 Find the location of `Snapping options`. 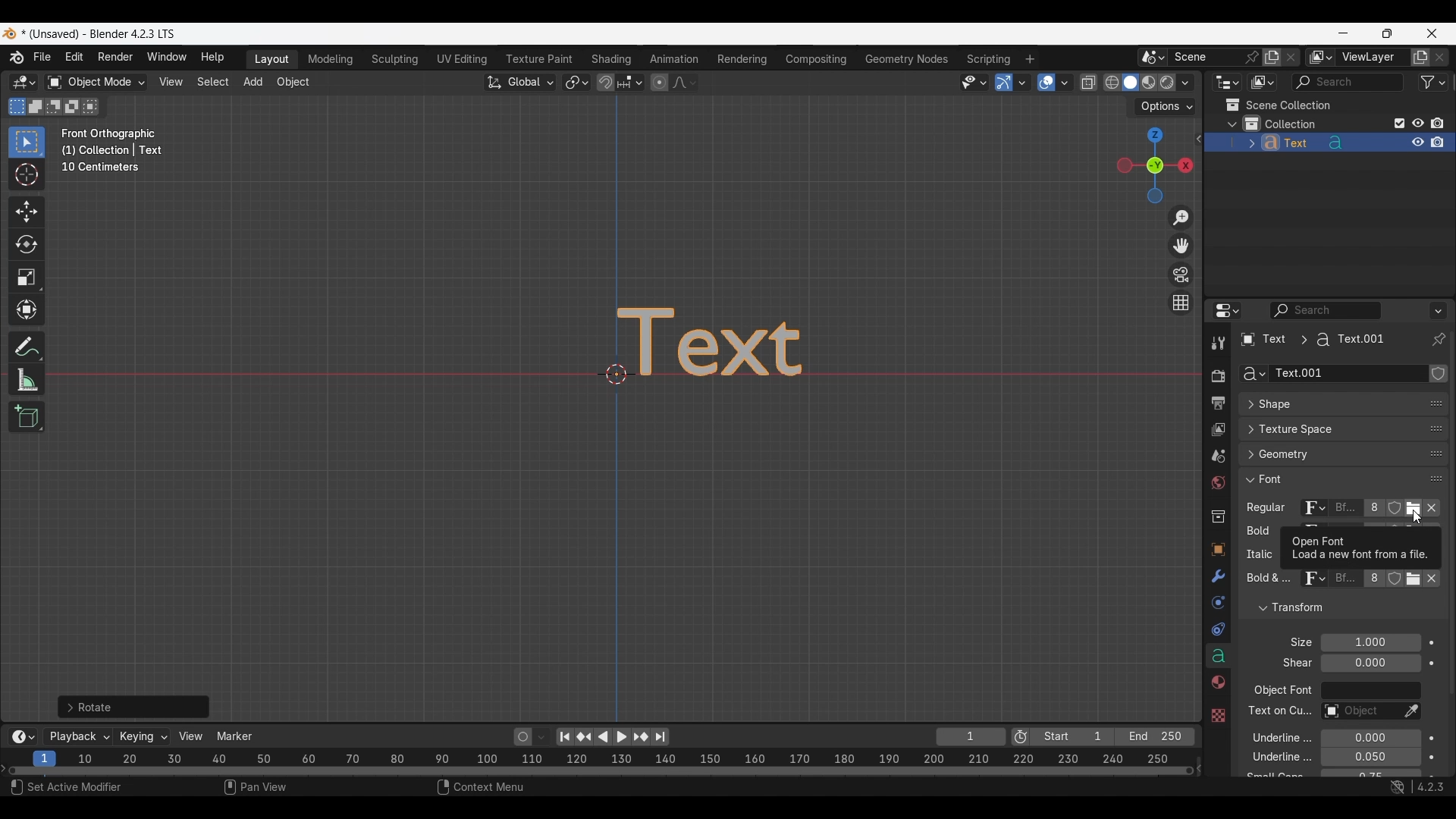

Snapping options is located at coordinates (632, 82).